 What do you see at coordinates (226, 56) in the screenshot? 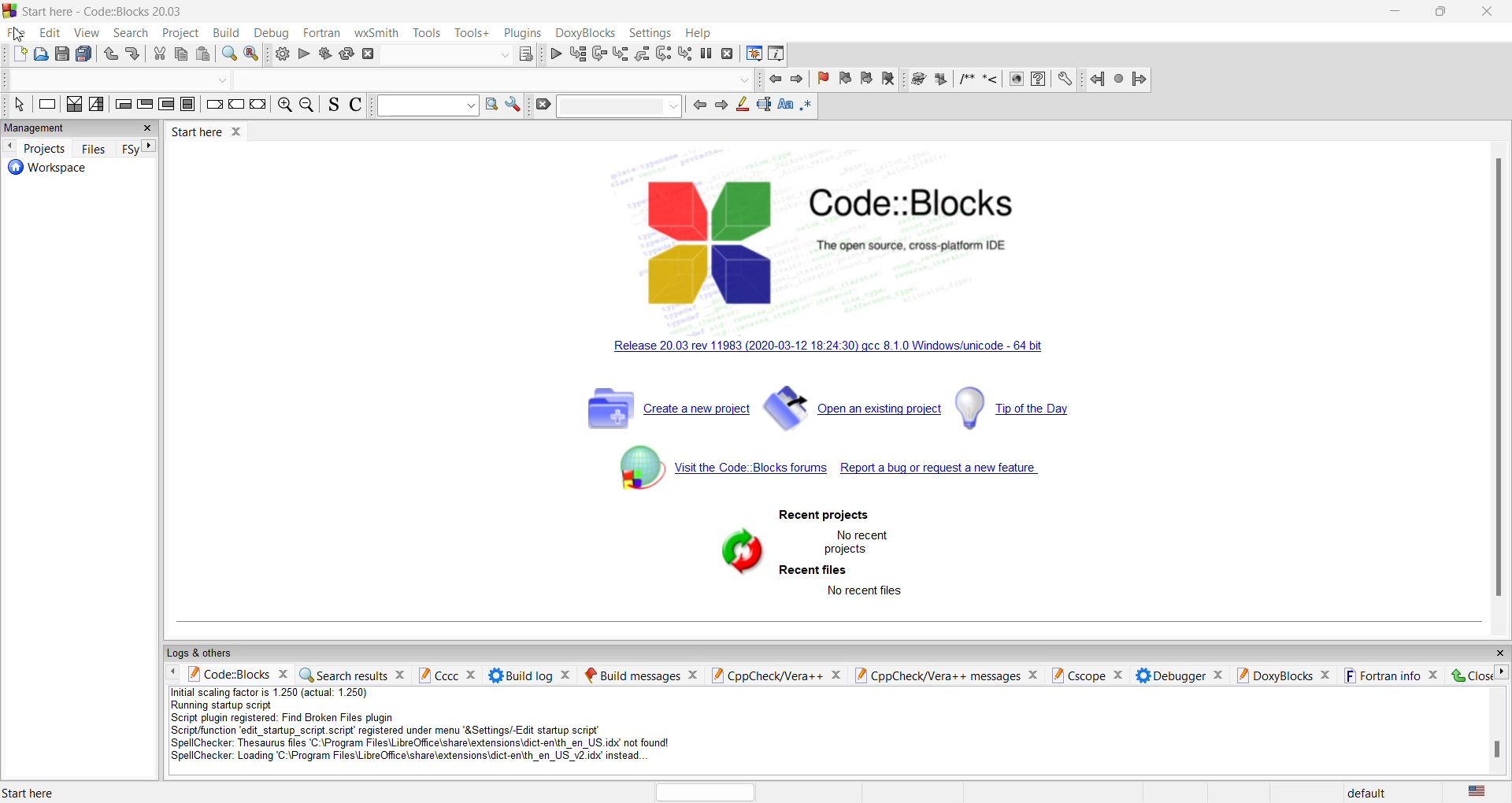
I see `find` at bounding box center [226, 56].